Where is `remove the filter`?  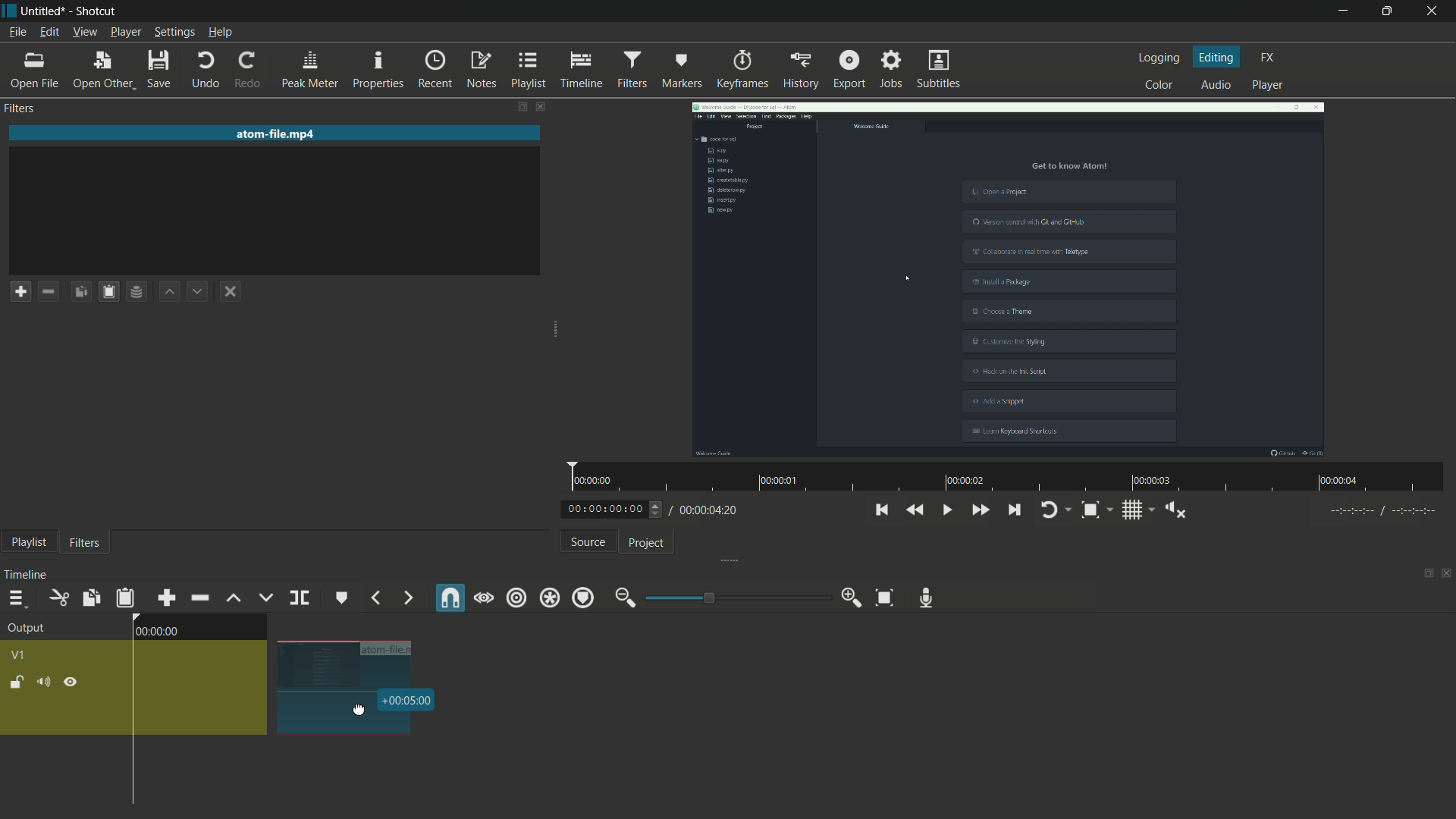
remove the filter is located at coordinates (48, 293).